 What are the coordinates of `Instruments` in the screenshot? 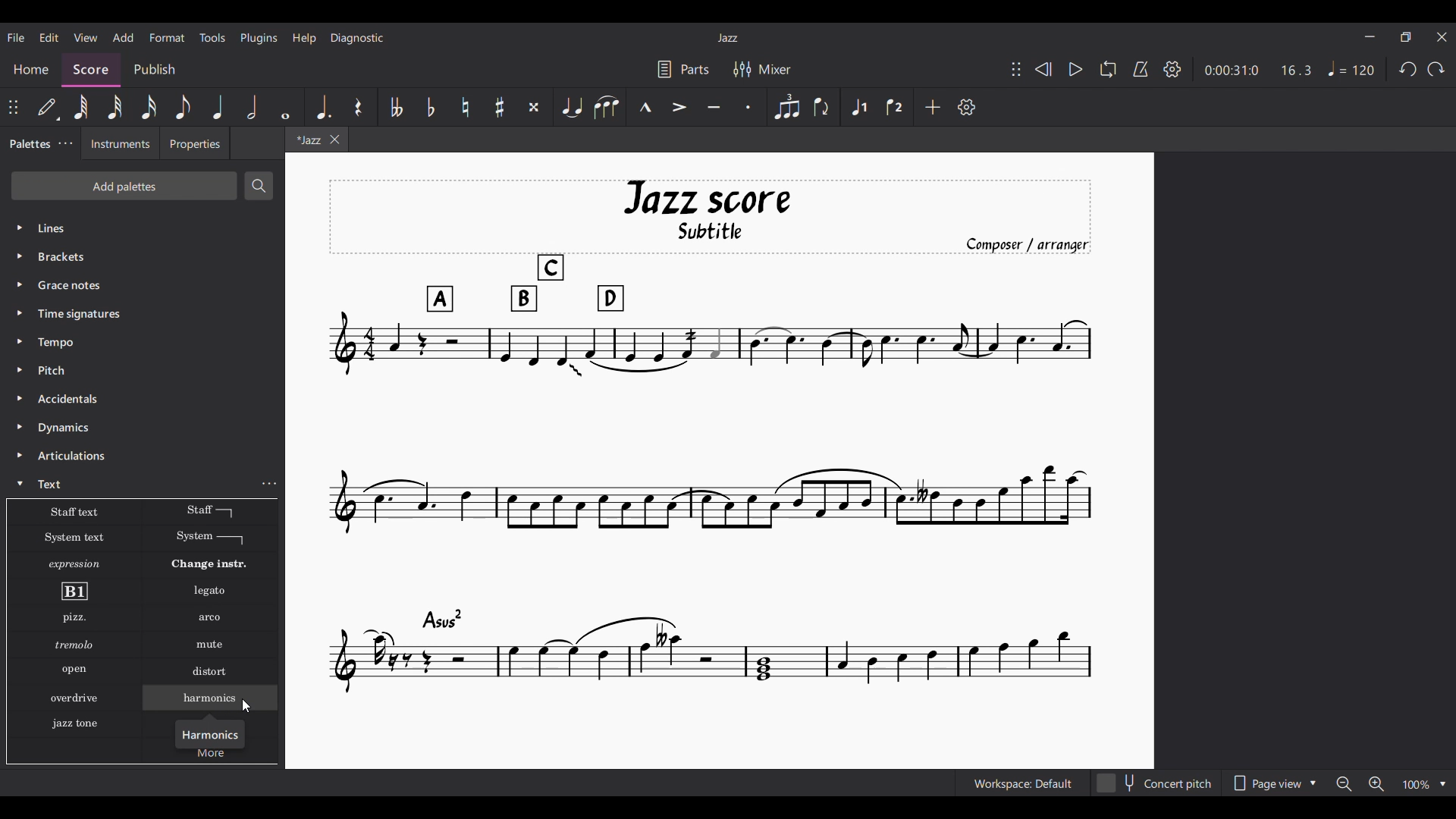 It's located at (121, 146).